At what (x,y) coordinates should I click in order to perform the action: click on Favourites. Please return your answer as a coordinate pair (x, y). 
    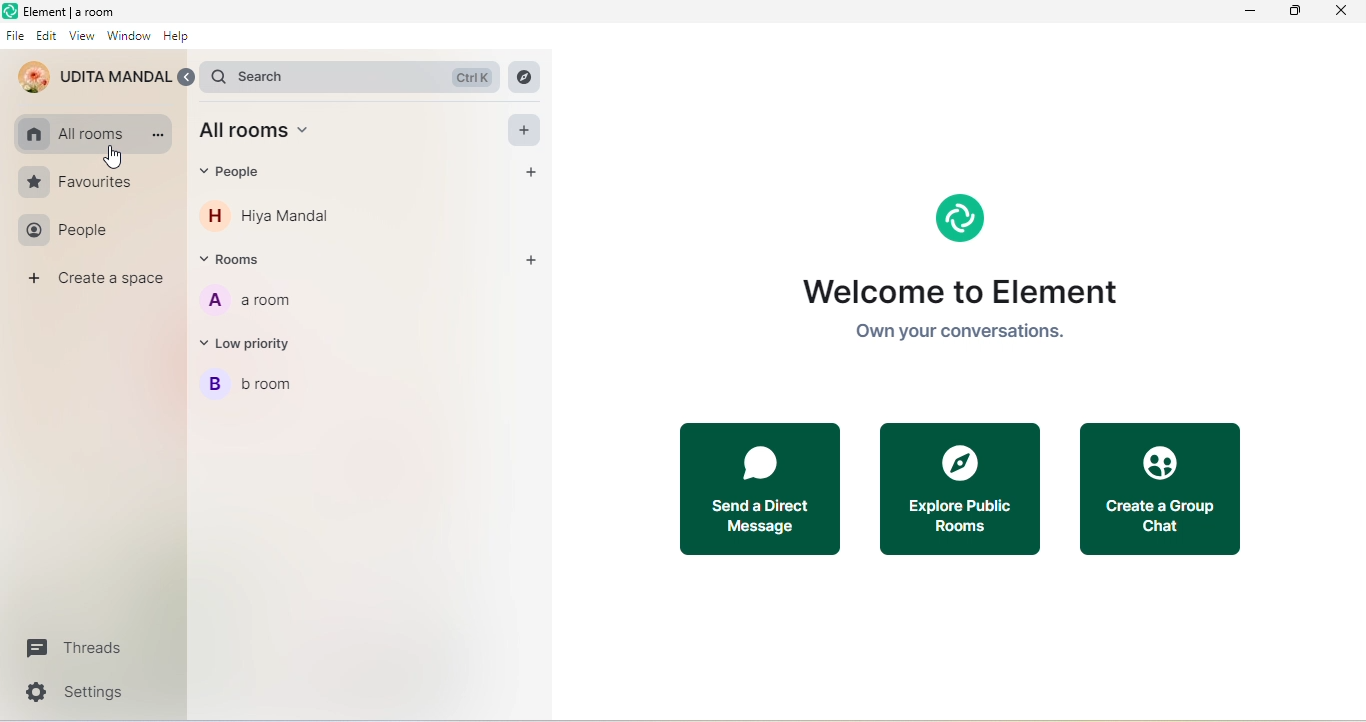
    Looking at the image, I should click on (75, 181).